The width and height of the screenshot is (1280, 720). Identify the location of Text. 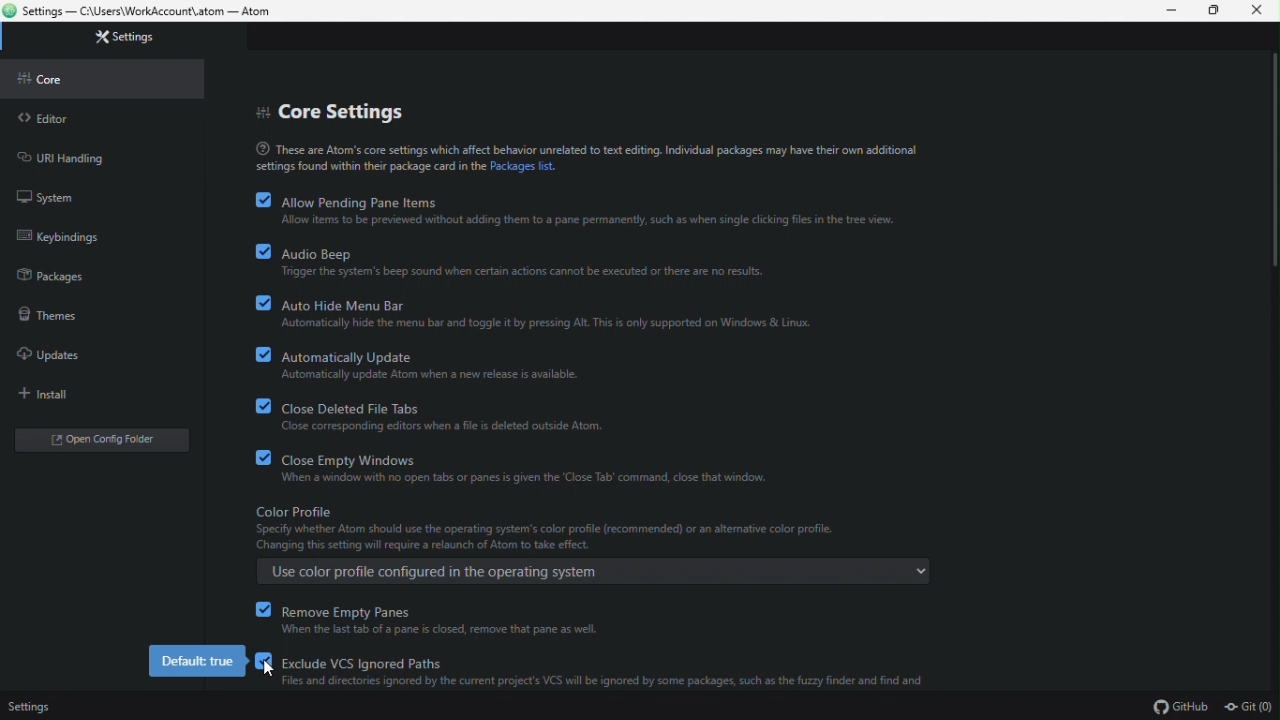
(588, 157).